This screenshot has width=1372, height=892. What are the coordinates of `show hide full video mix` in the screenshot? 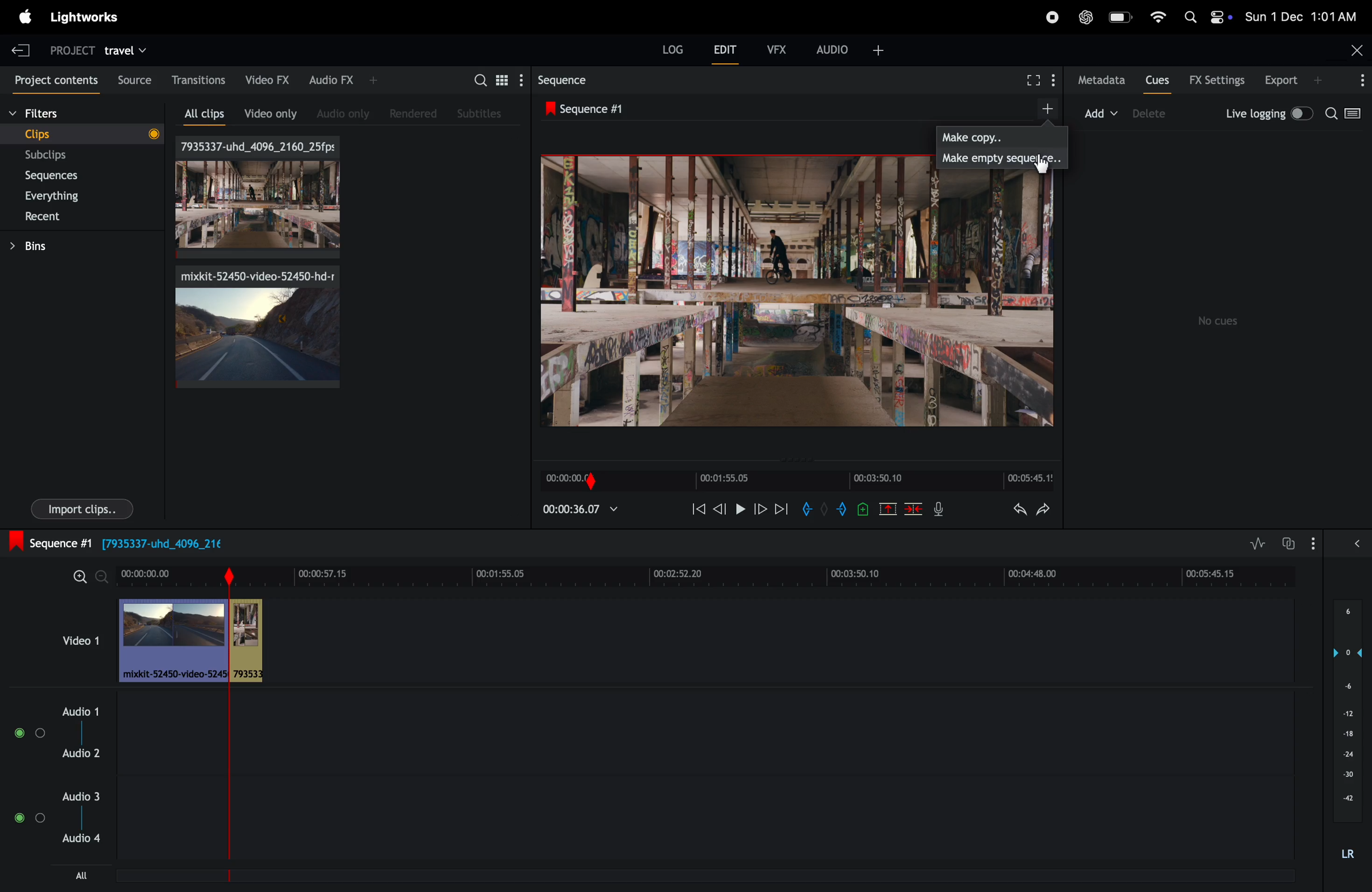 It's located at (1357, 543).